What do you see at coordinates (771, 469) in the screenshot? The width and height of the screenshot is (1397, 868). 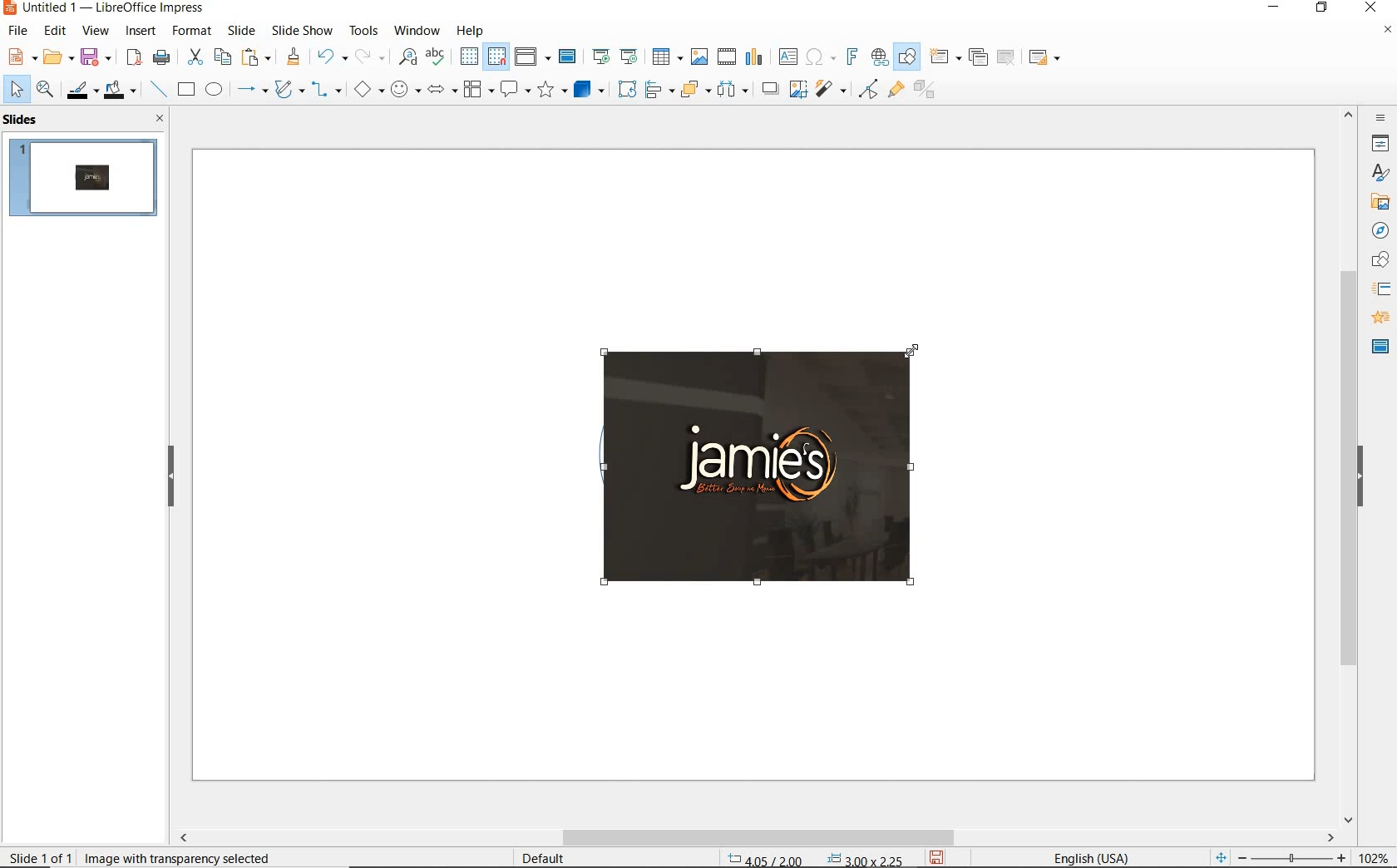 I see `image` at bounding box center [771, 469].